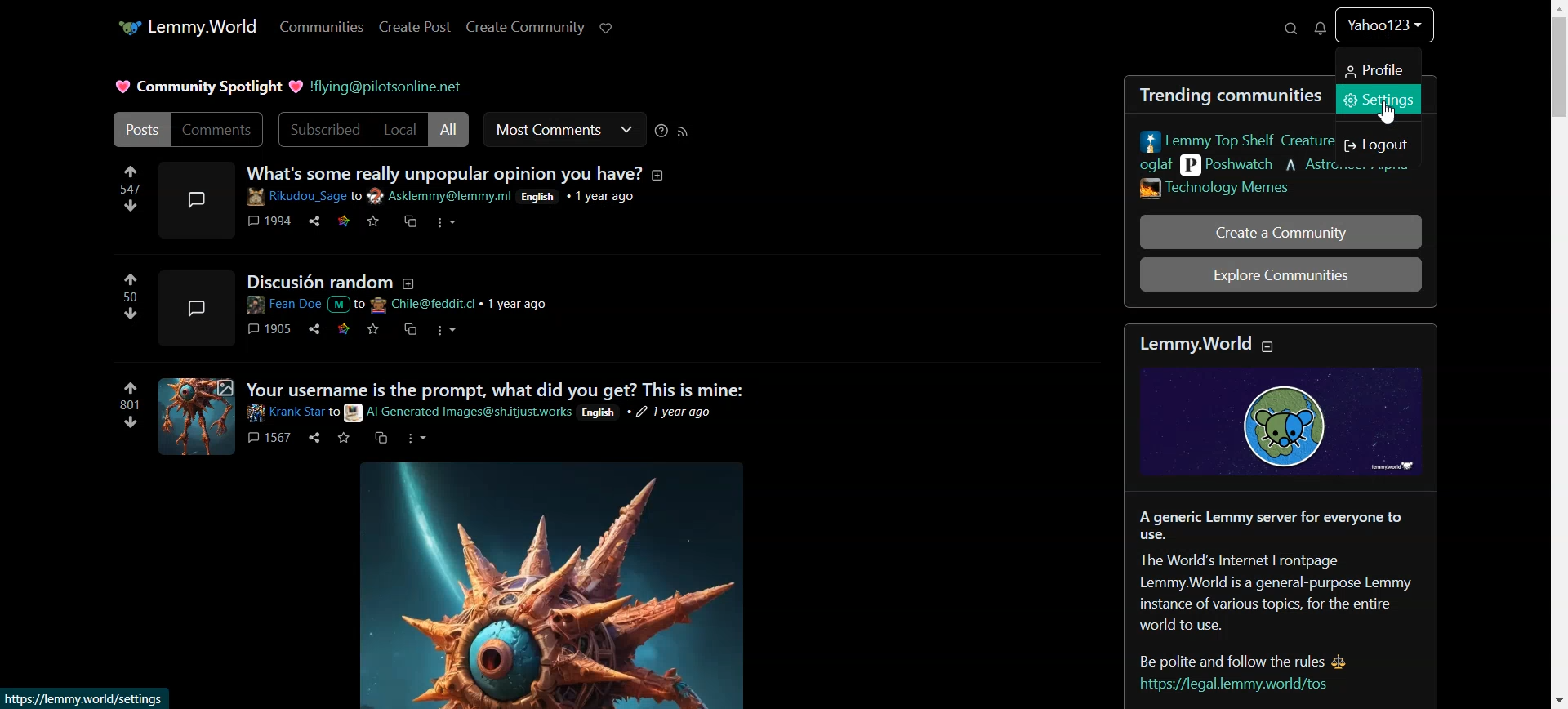 The image size is (1568, 709). What do you see at coordinates (683, 132) in the screenshot?
I see `RSS` at bounding box center [683, 132].